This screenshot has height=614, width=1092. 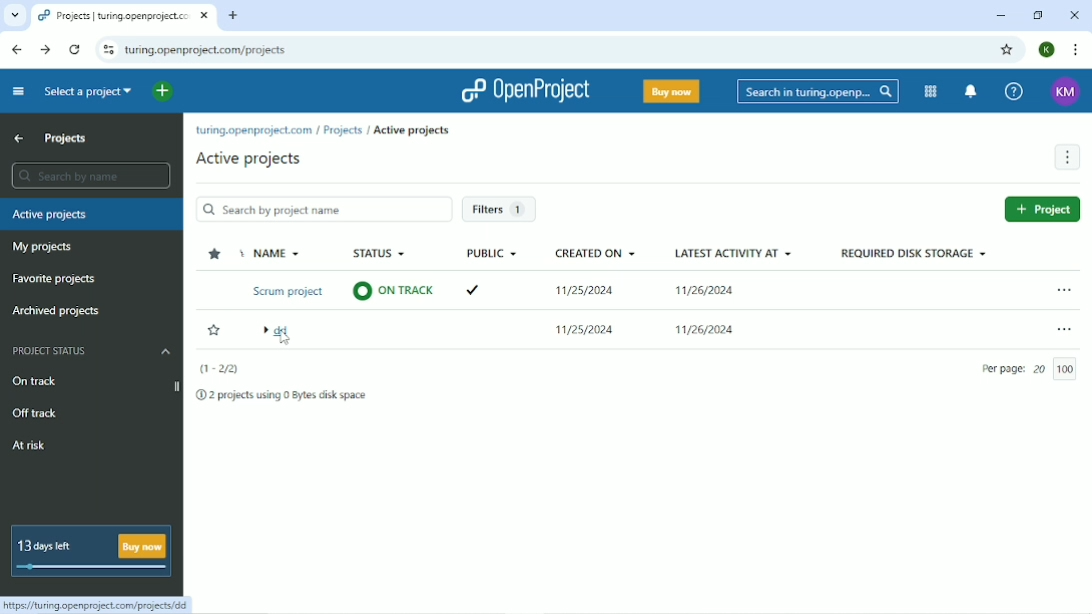 I want to click on Project status, so click(x=91, y=350).